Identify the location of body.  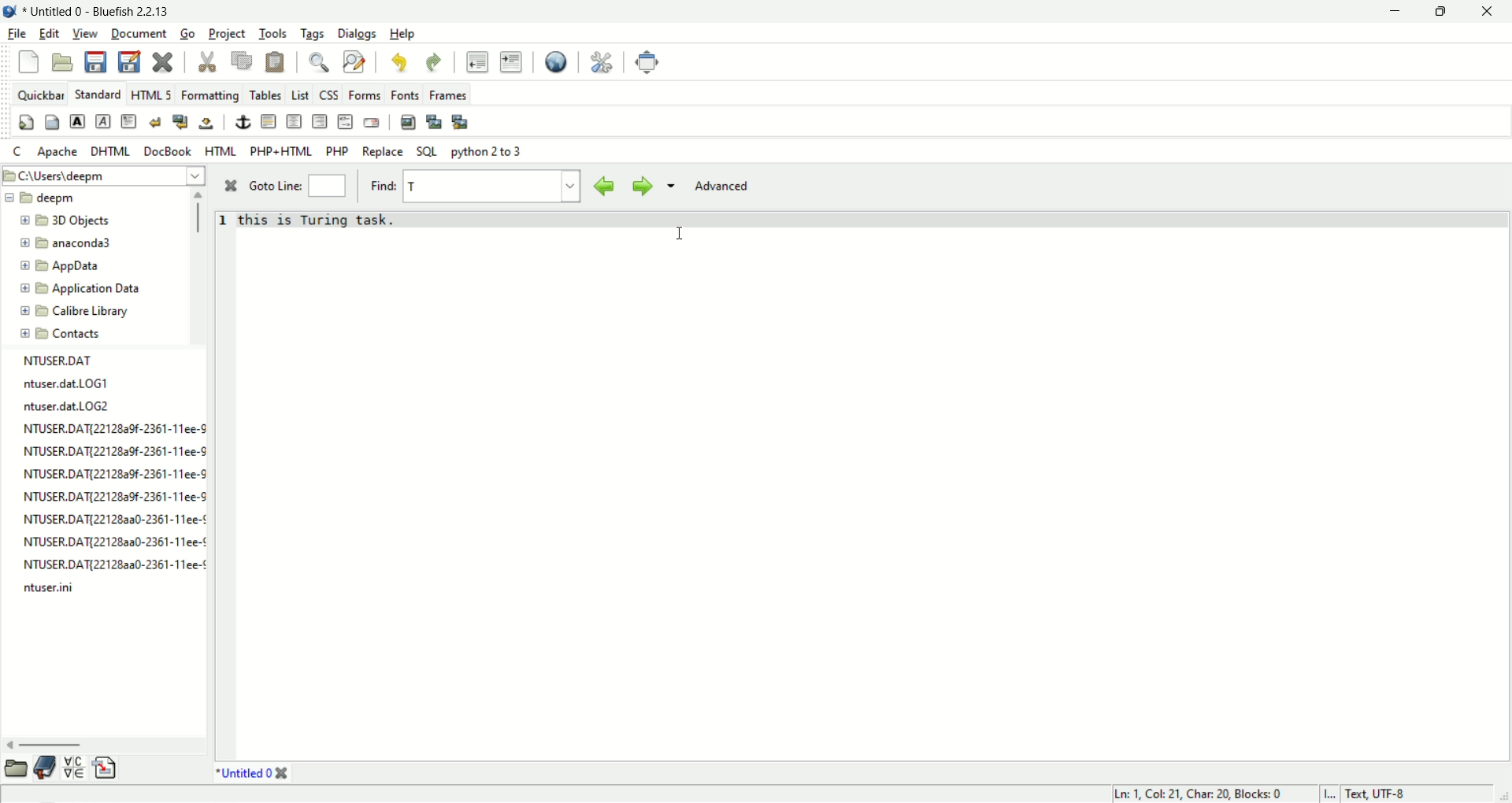
(53, 121).